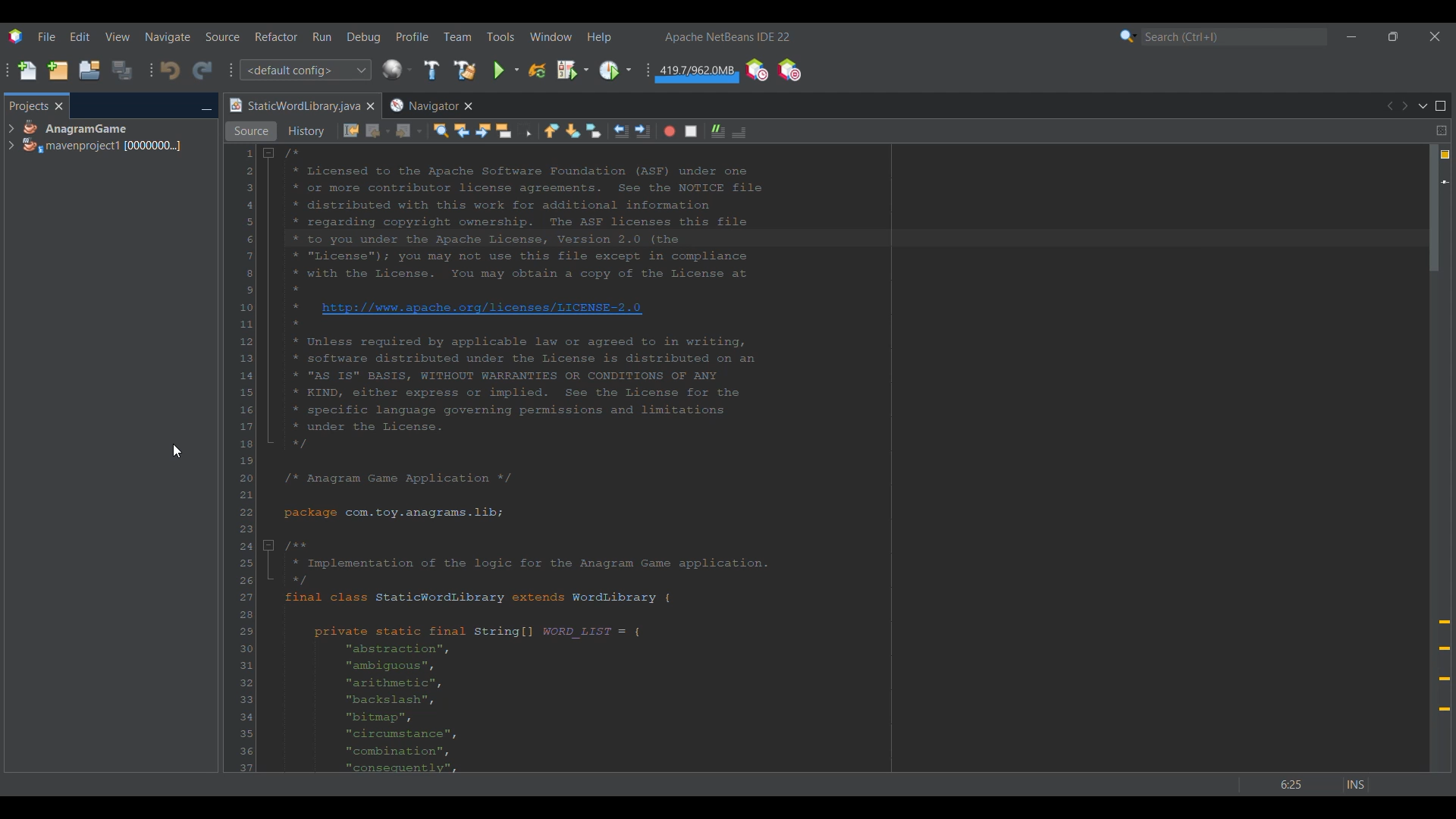 This screenshot has width=1456, height=819. Describe the element at coordinates (483, 130) in the screenshot. I see `Find next occurrence` at that location.